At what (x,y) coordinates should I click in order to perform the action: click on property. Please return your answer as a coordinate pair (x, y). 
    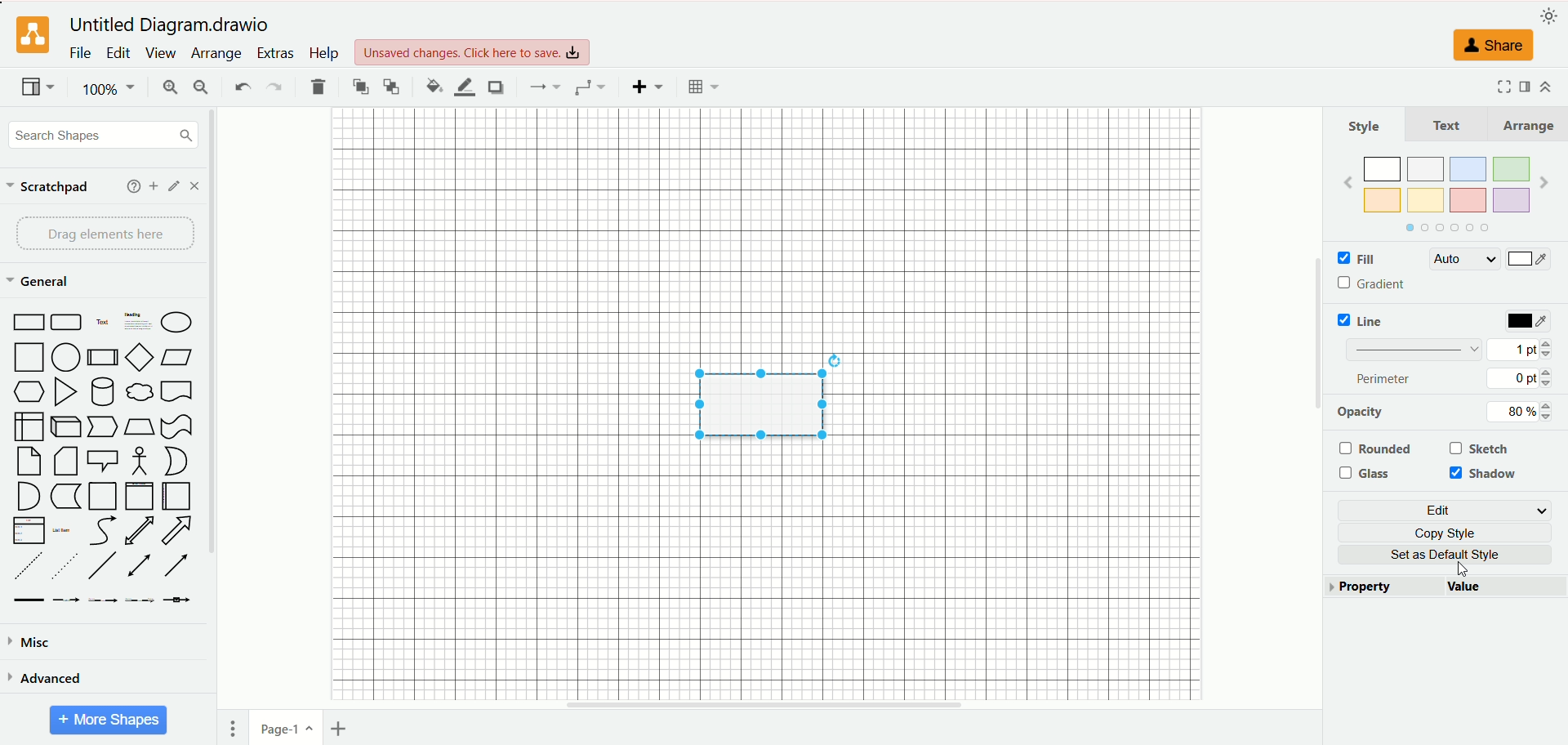
    Looking at the image, I should click on (1384, 587).